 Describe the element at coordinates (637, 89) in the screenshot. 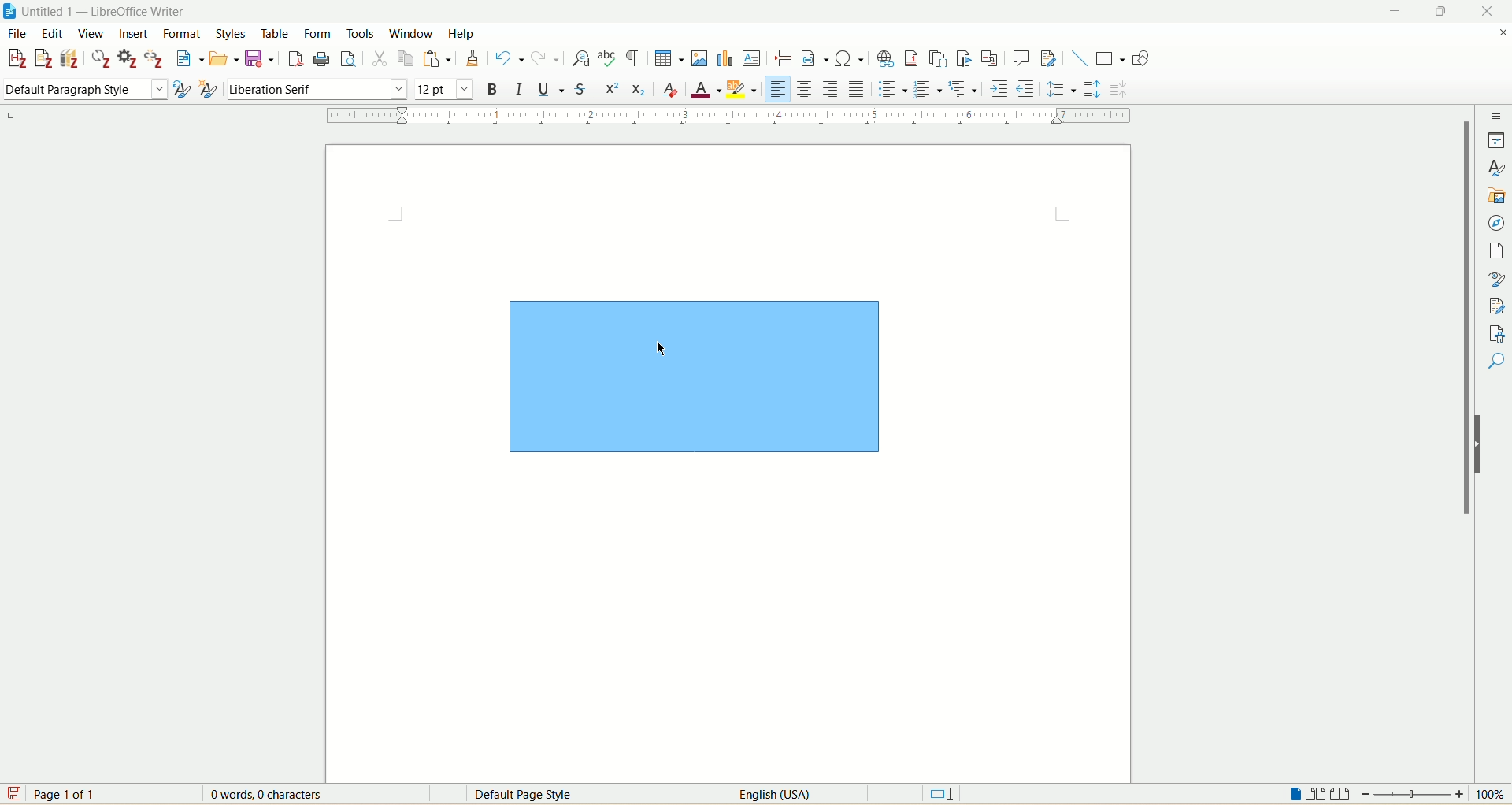

I see `subscript` at that location.